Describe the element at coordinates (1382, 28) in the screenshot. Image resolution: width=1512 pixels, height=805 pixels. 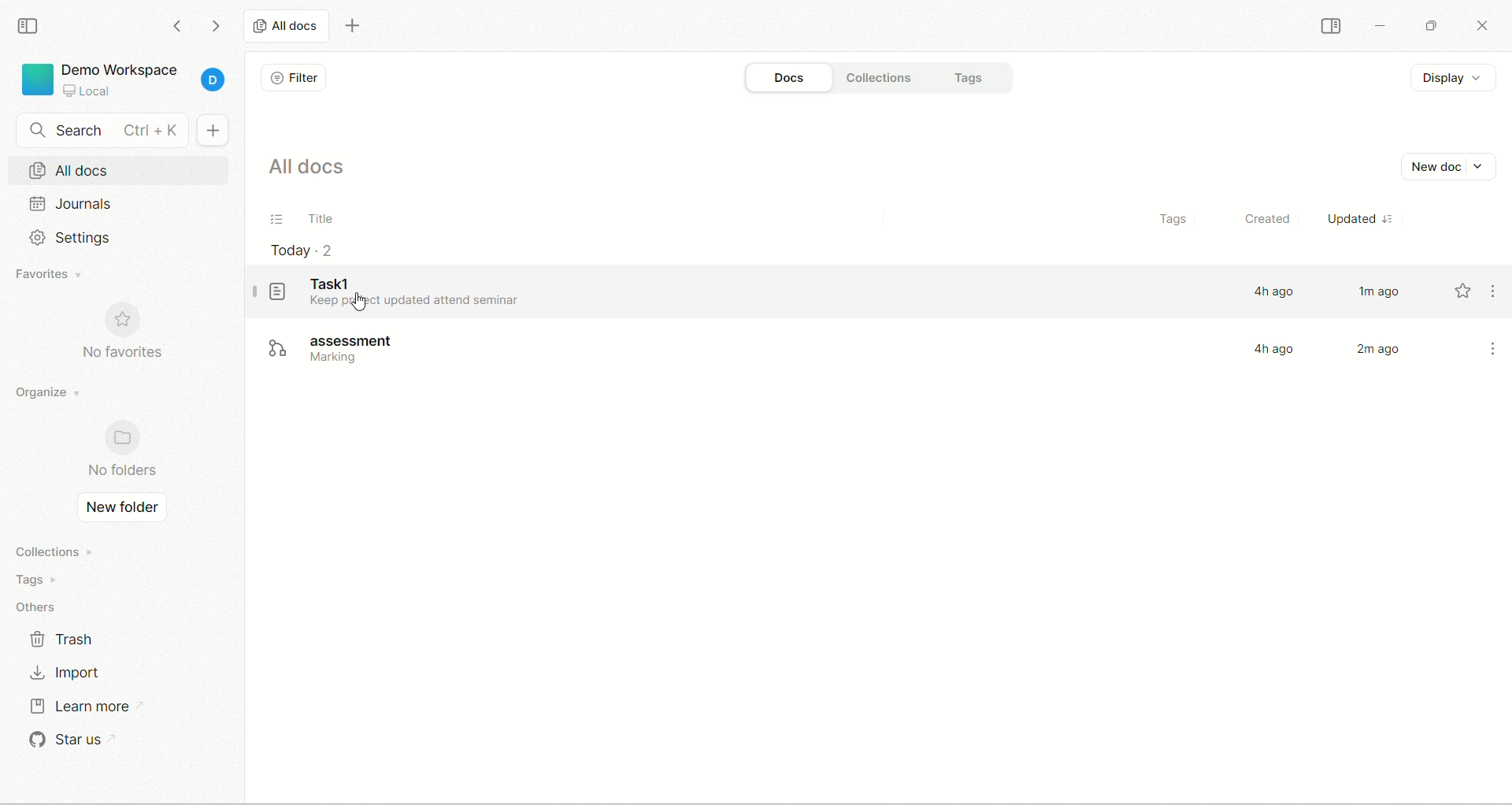
I see `minimize` at that location.